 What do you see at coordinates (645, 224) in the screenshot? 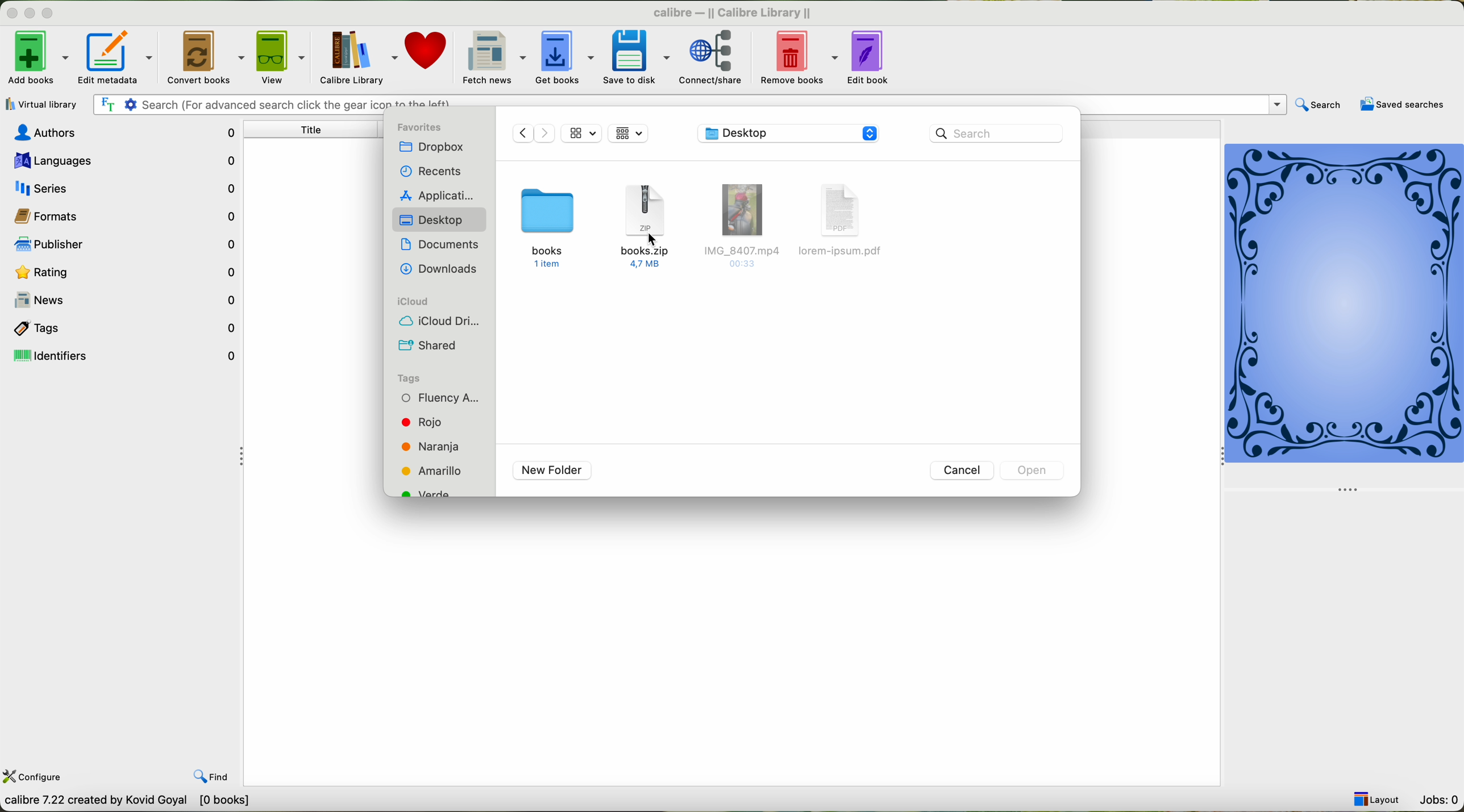
I see `books.zip` at bounding box center [645, 224].